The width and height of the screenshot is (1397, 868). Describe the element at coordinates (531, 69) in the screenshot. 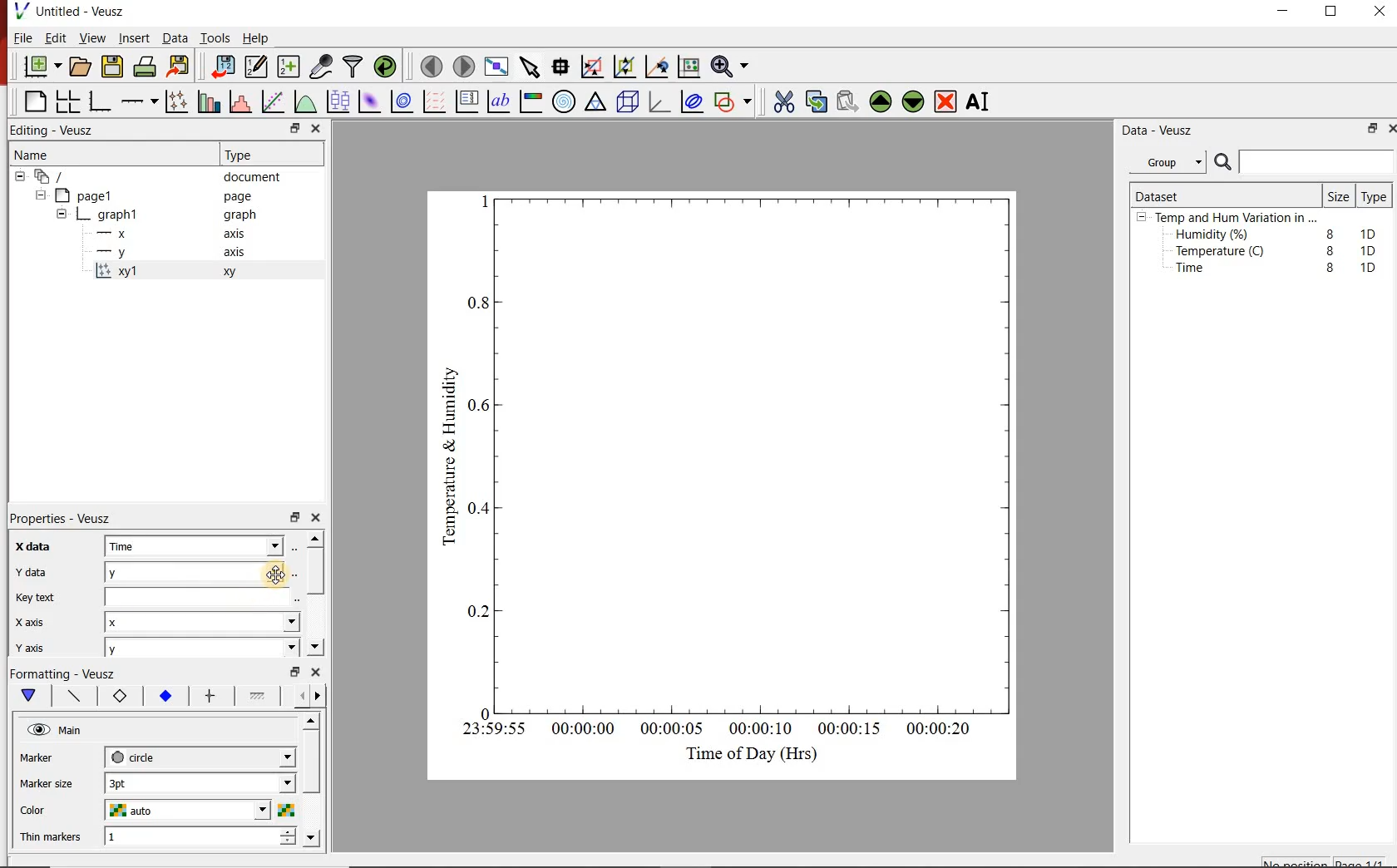

I see `select items from the graph or scroll` at that location.